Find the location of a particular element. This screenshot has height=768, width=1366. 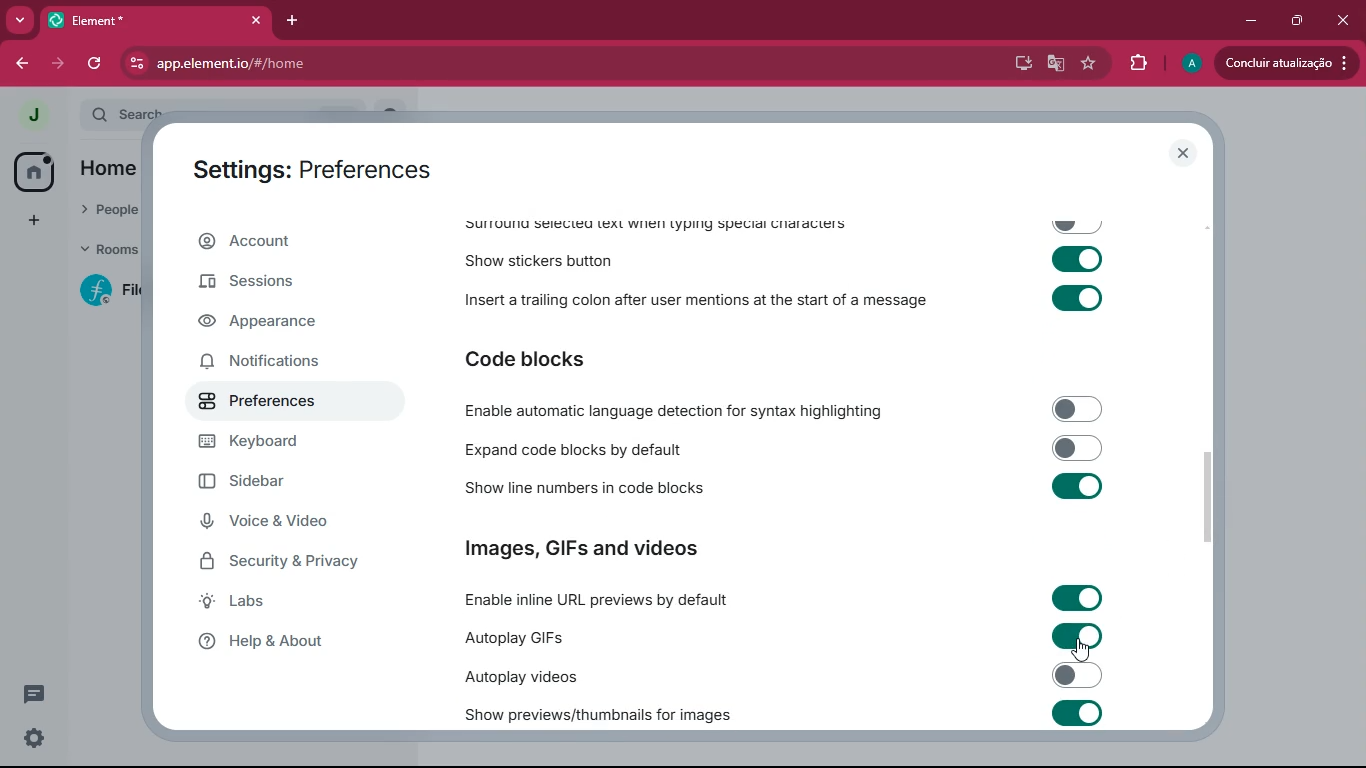

code blocks  is located at coordinates (537, 357).